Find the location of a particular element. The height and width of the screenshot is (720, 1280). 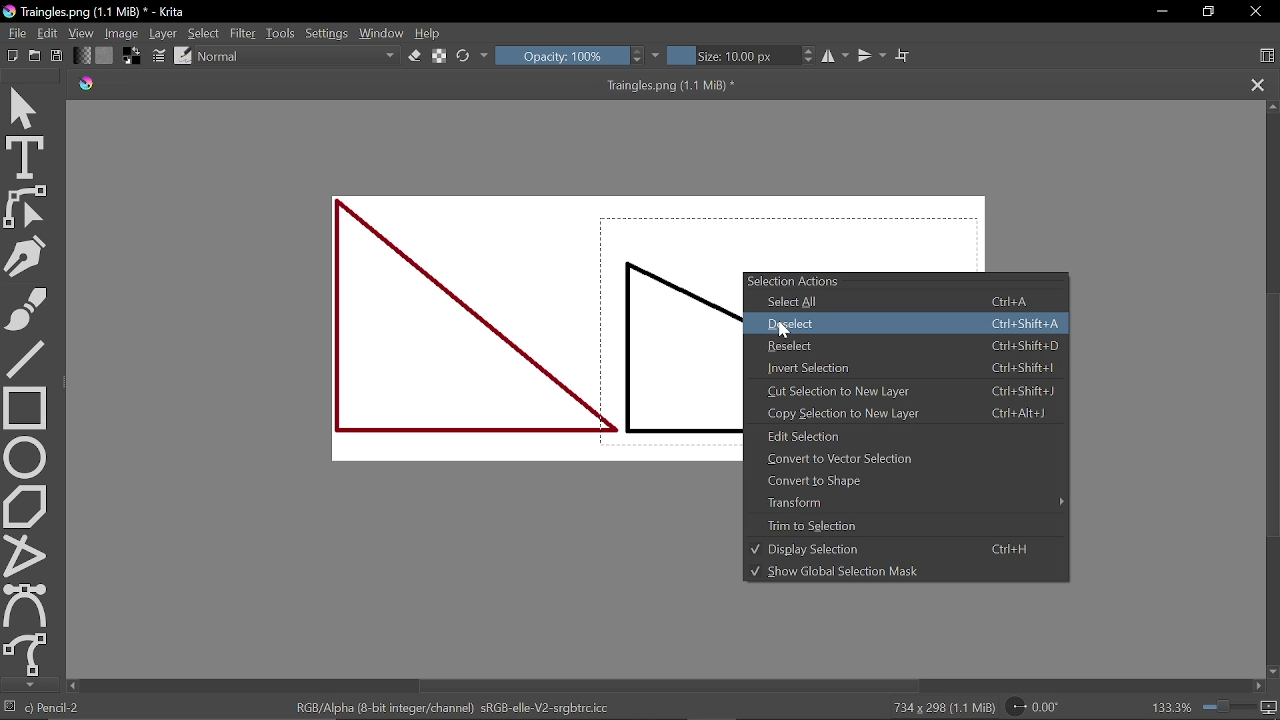

Convert to shape  is located at coordinates (903, 481).